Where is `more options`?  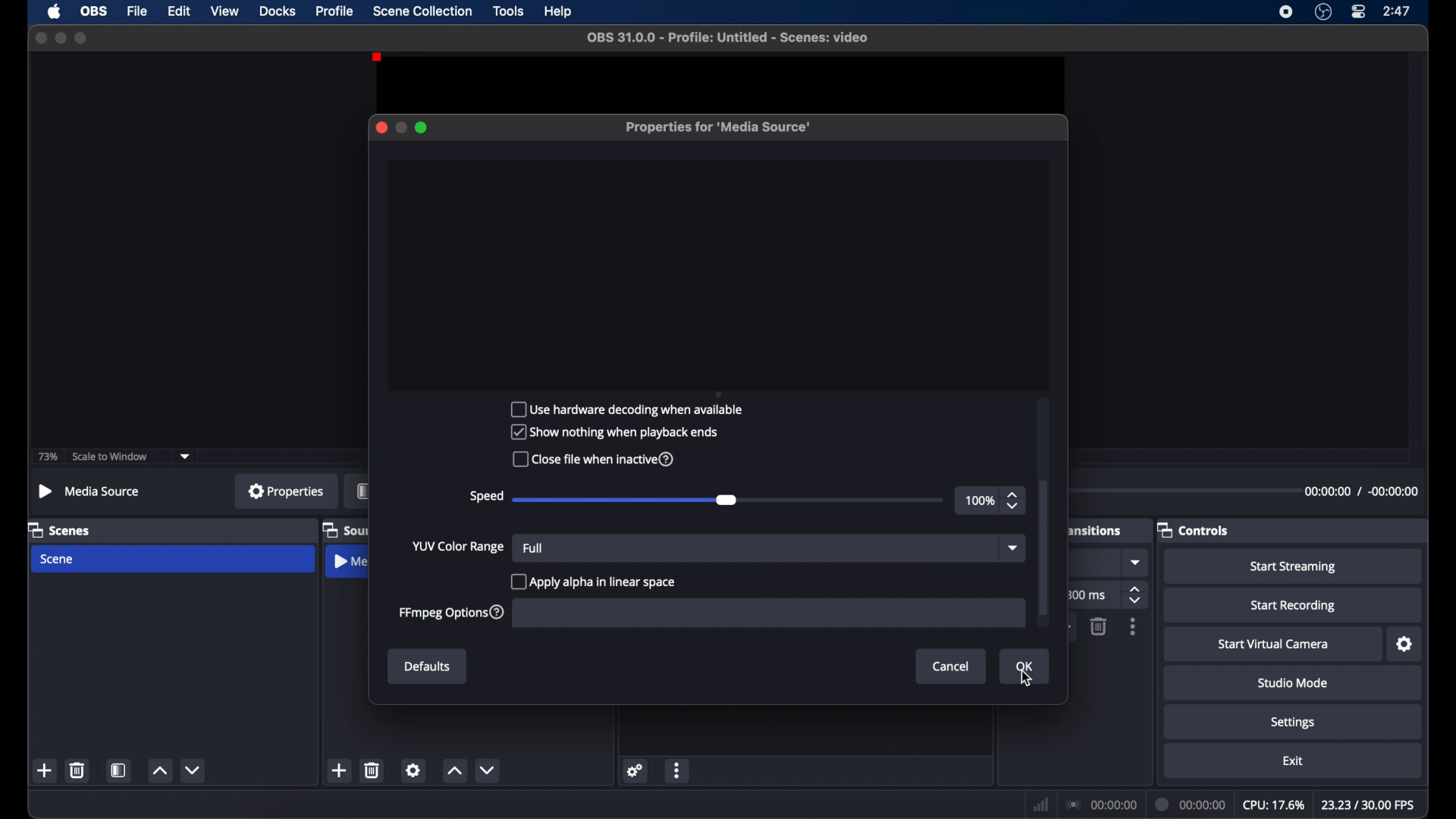 more options is located at coordinates (678, 770).